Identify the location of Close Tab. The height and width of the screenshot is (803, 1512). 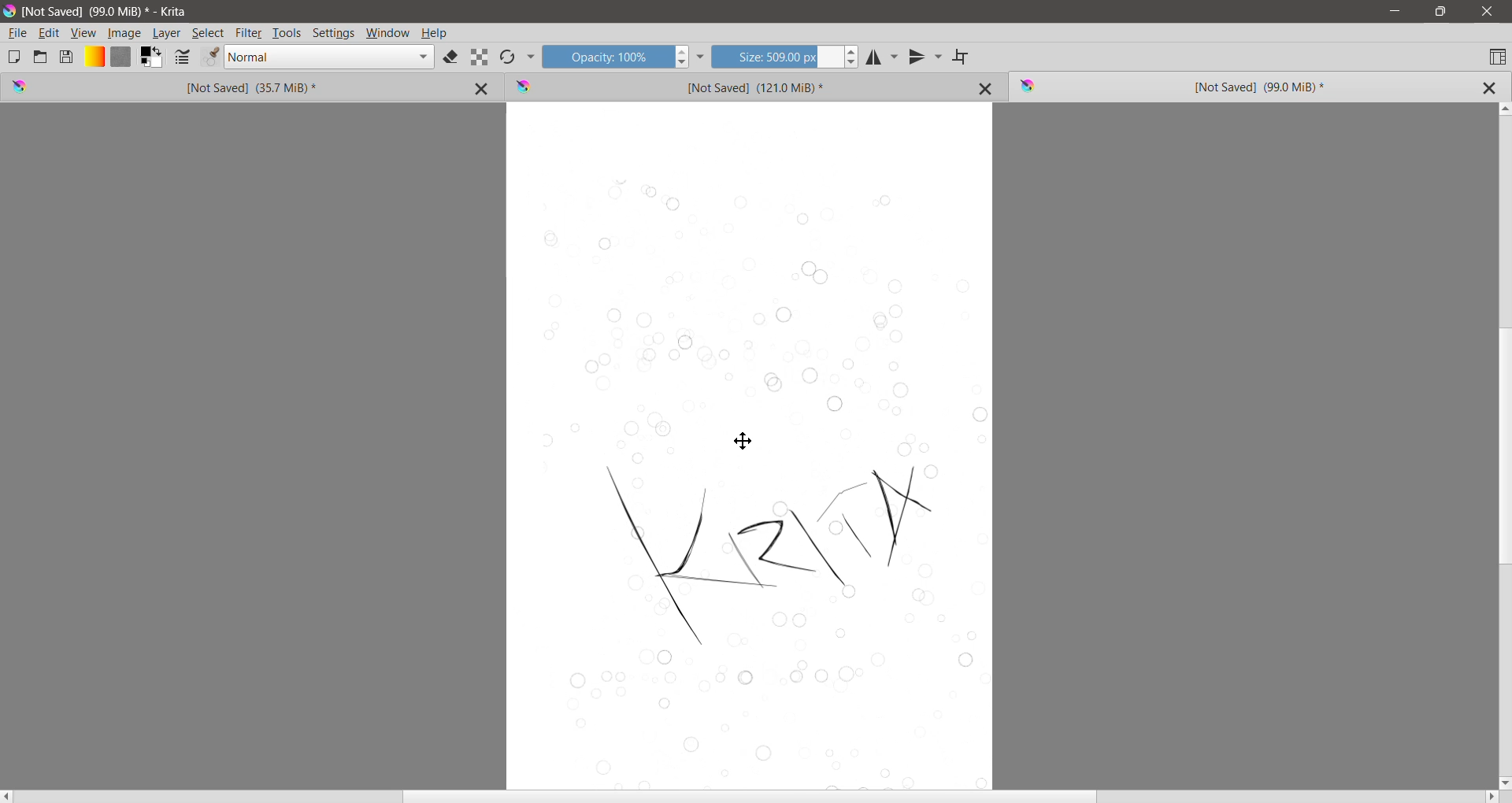
(986, 88).